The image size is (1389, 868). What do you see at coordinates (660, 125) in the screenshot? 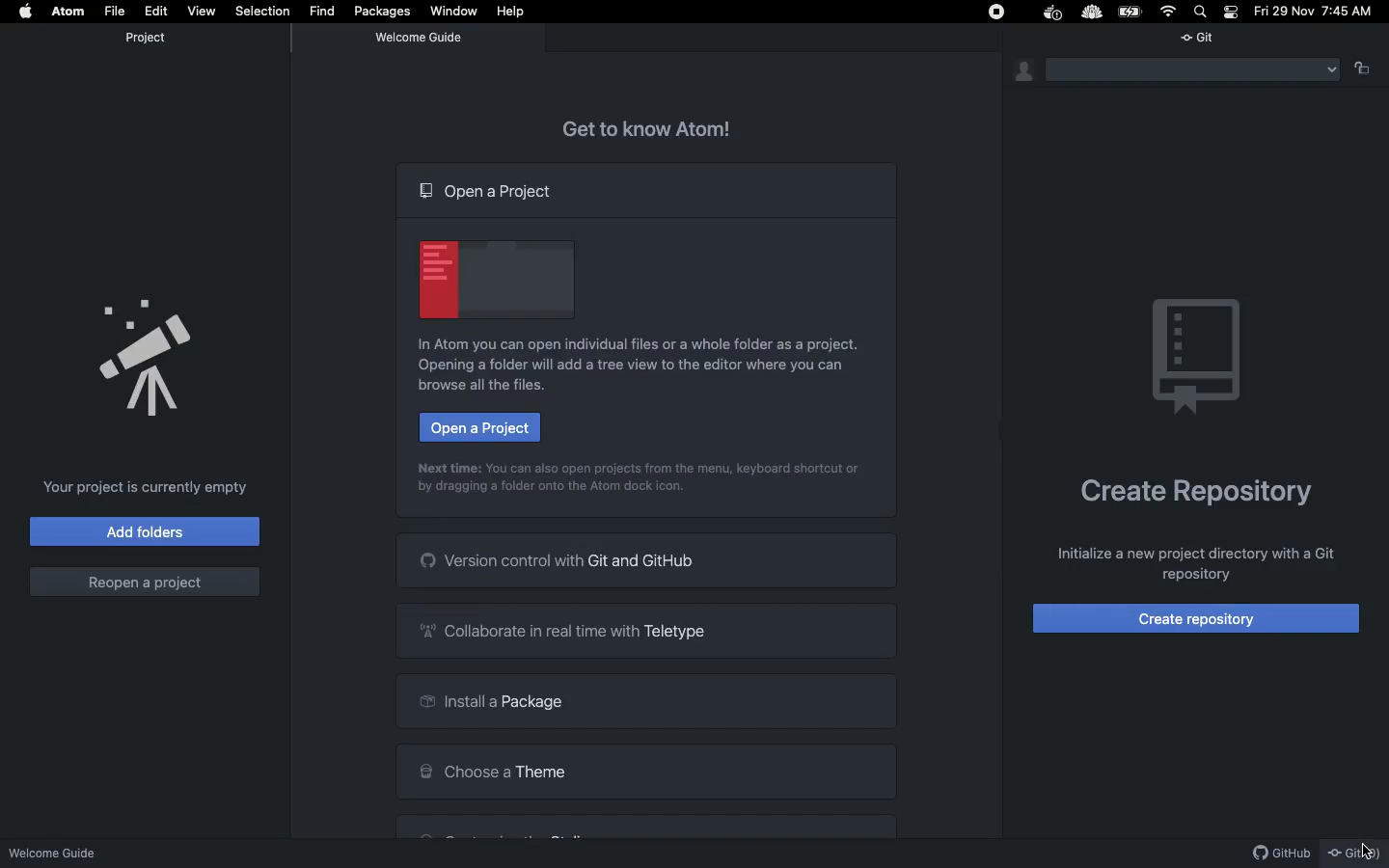
I see `Get to know Atom!` at bounding box center [660, 125].